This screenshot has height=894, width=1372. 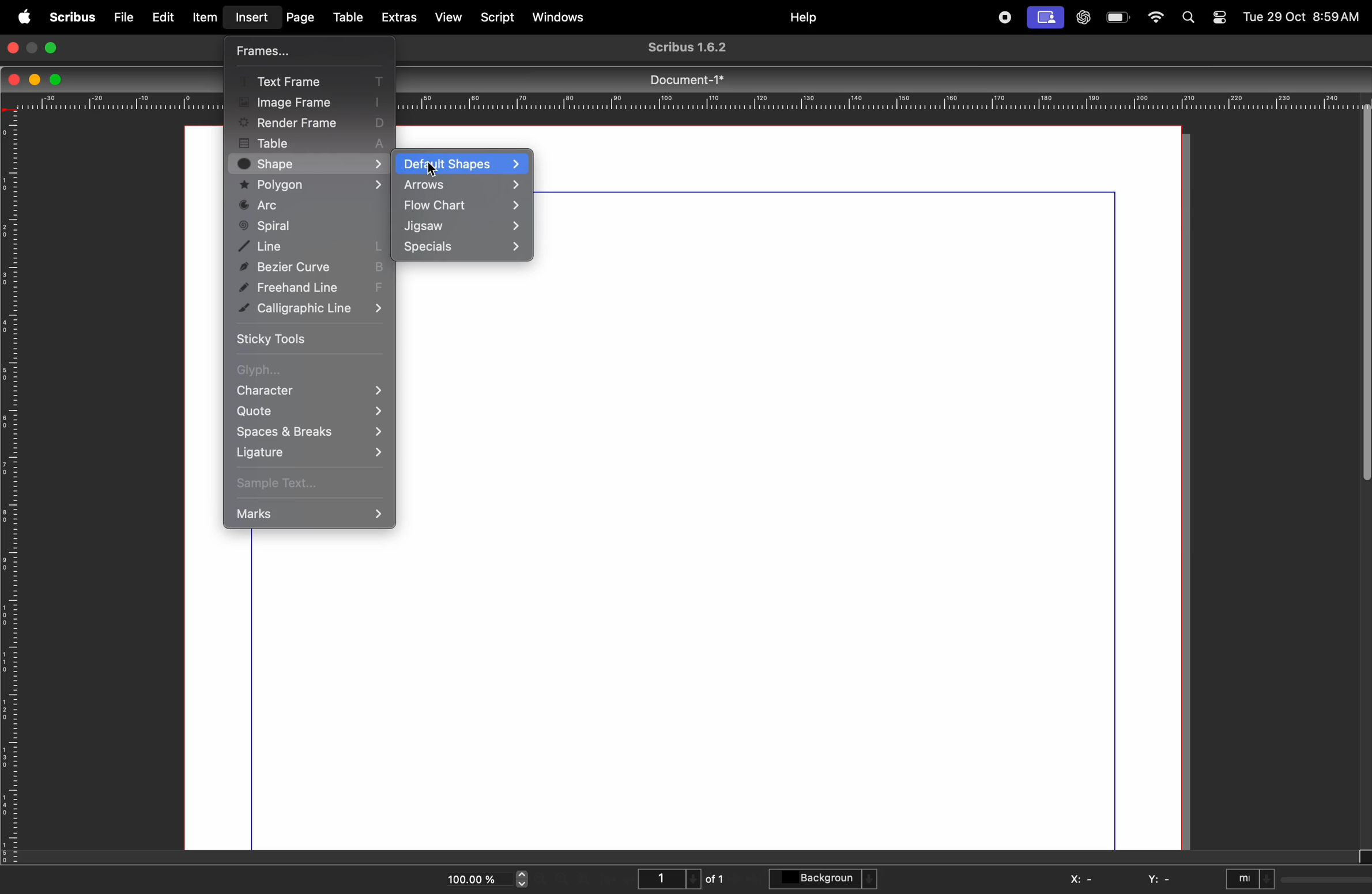 What do you see at coordinates (311, 392) in the screenshot?
I see `character` at bounding box center [311, 392].